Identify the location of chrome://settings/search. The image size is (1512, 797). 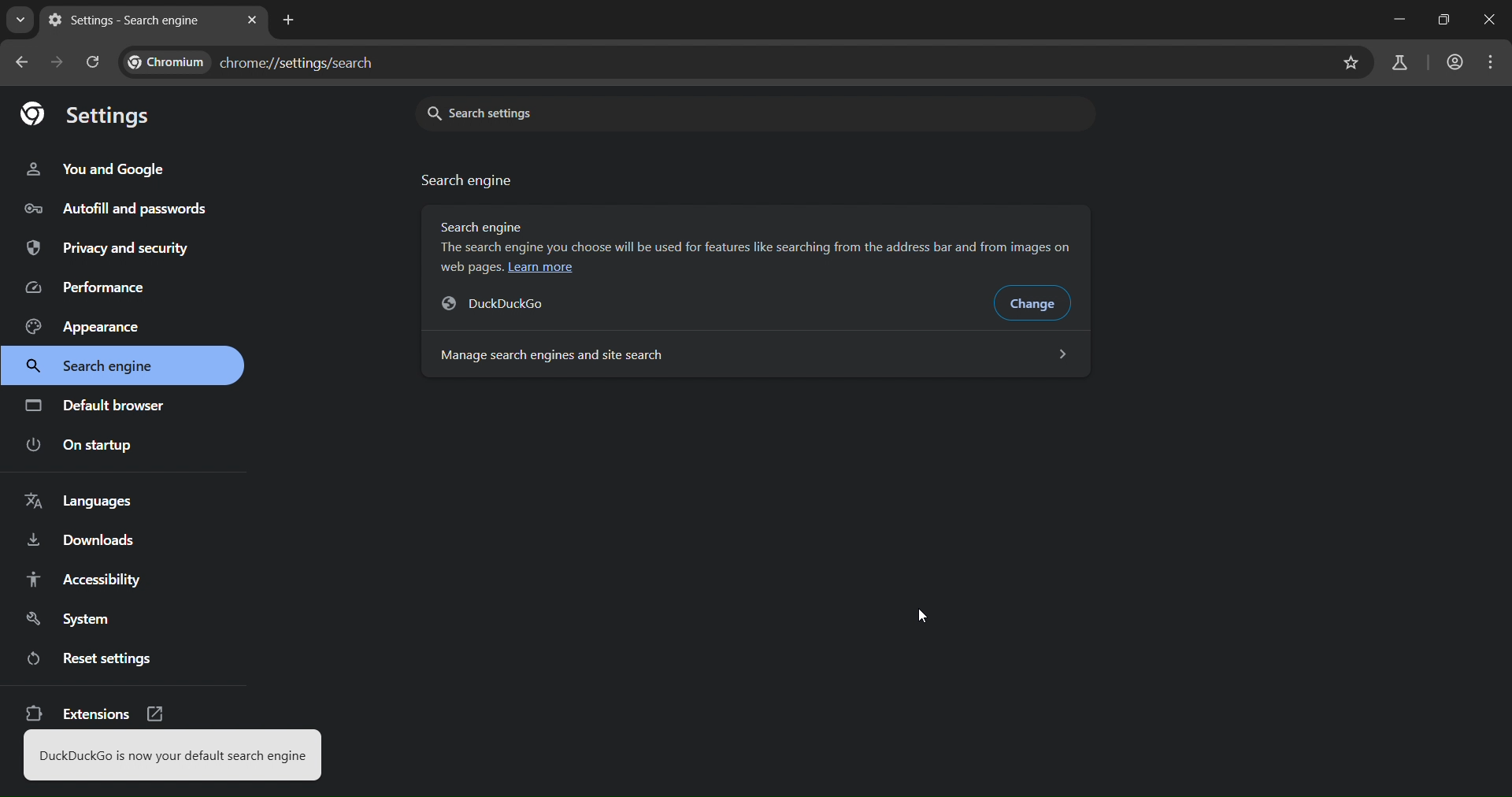
(261, 59).